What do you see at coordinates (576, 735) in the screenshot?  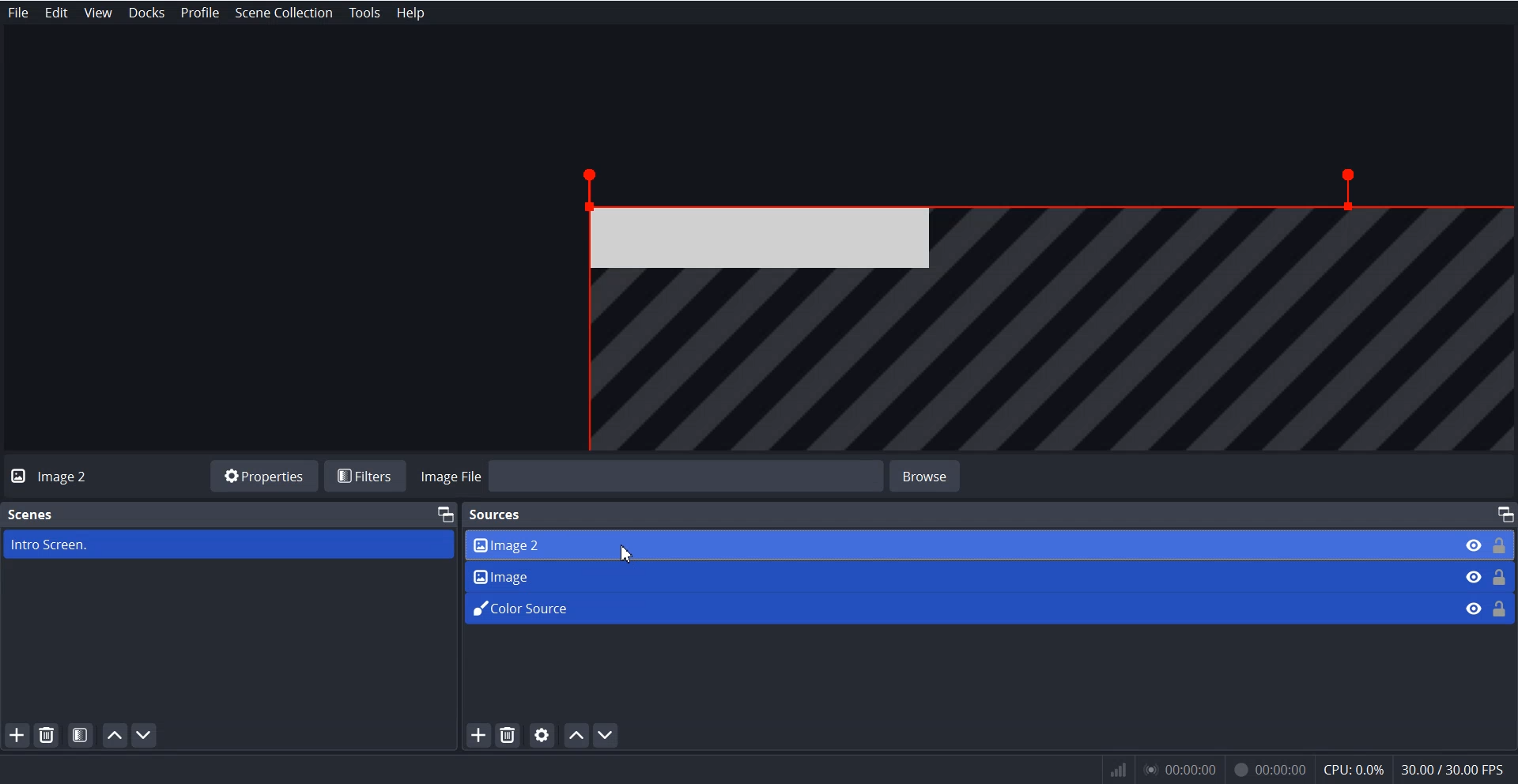 I see `Move Source Up` at bounding box center [576, 735].